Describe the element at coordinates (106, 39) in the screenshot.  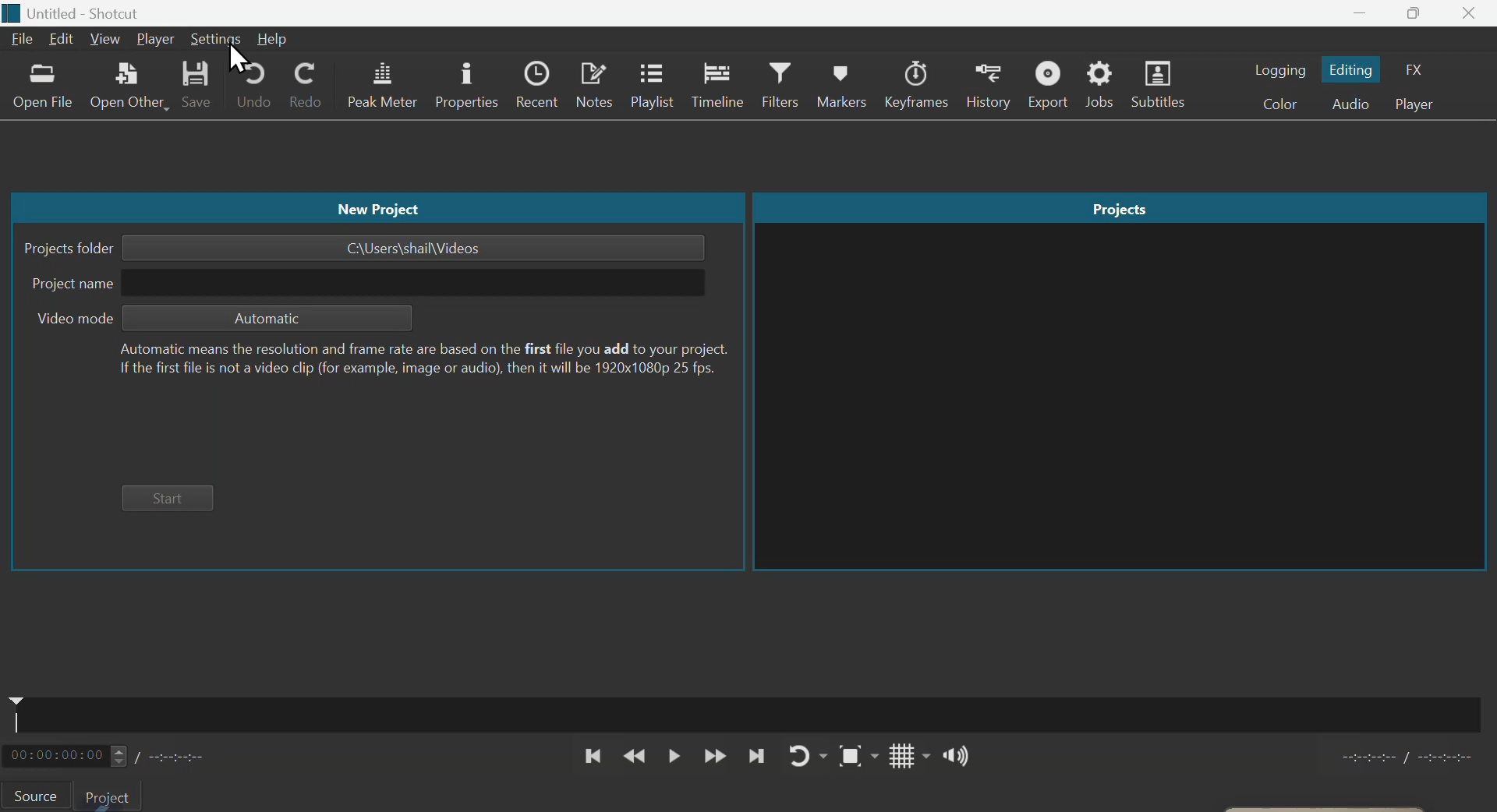
I see `View` at that location.